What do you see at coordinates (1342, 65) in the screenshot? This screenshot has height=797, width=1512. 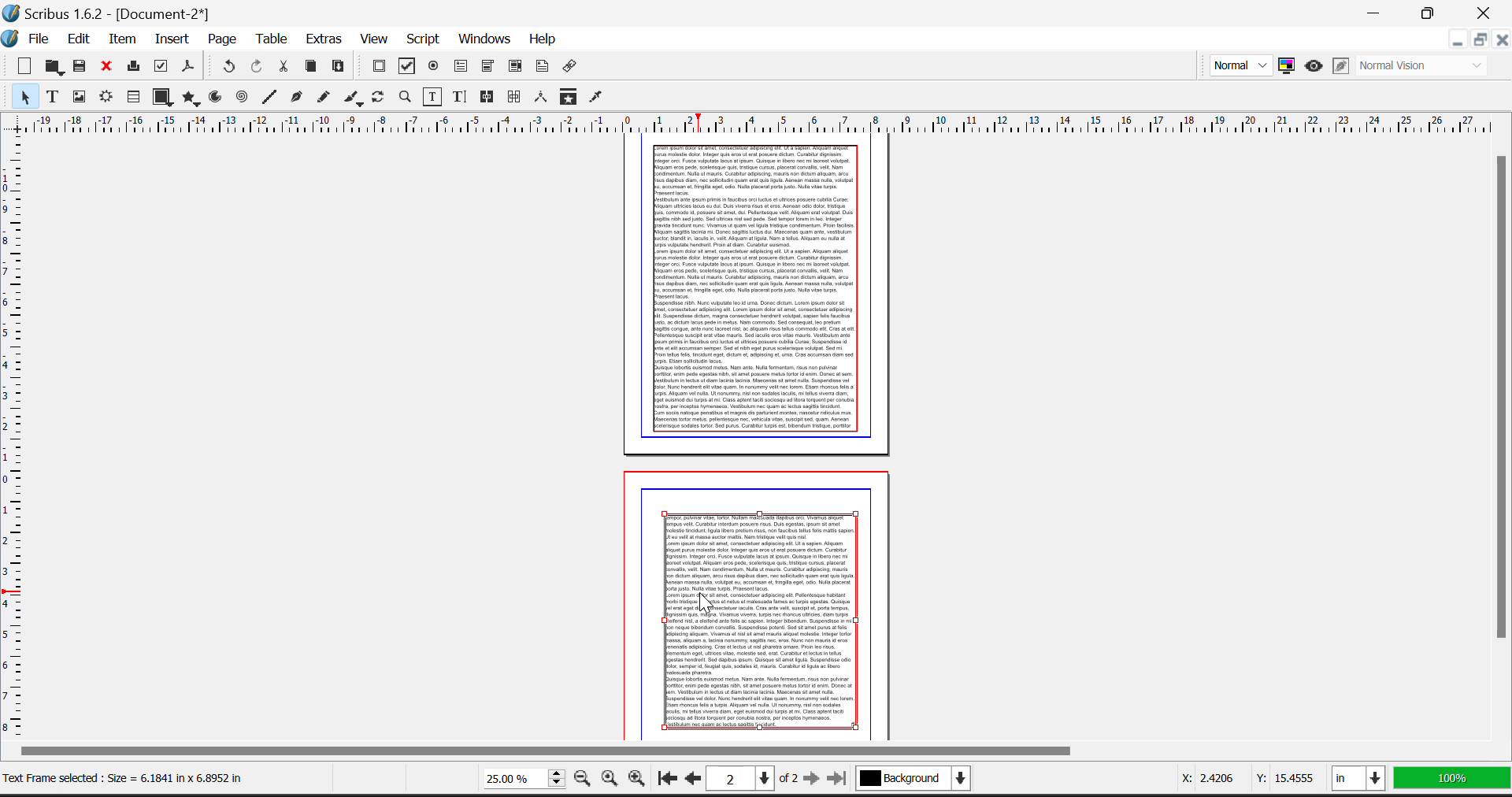 I see `Edit in Preview Mode` at bounding box center [1342, 65].